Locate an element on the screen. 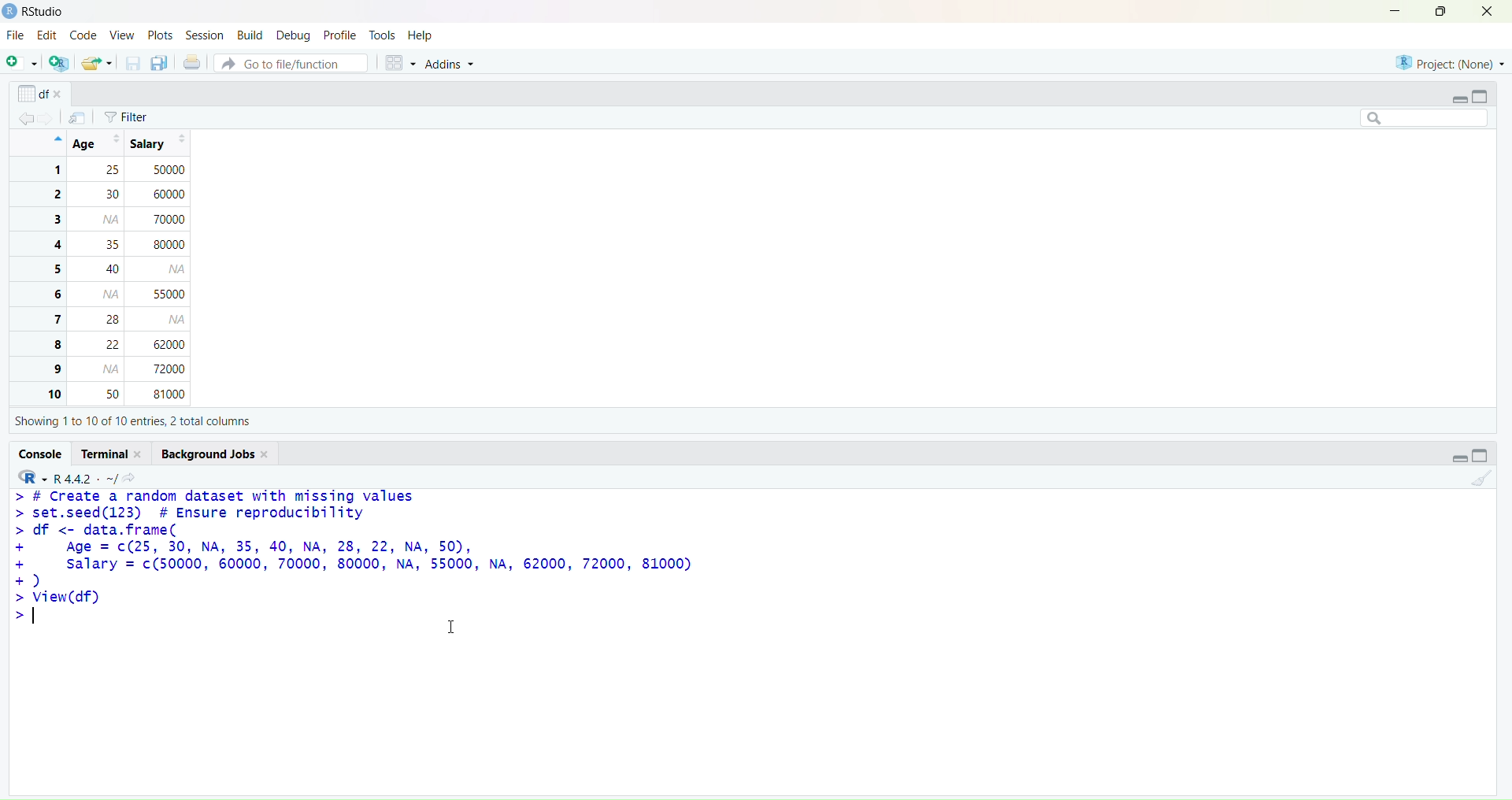 This screenshot has height=800, width=1512. Rstudio is located at coordinates (35, 11).